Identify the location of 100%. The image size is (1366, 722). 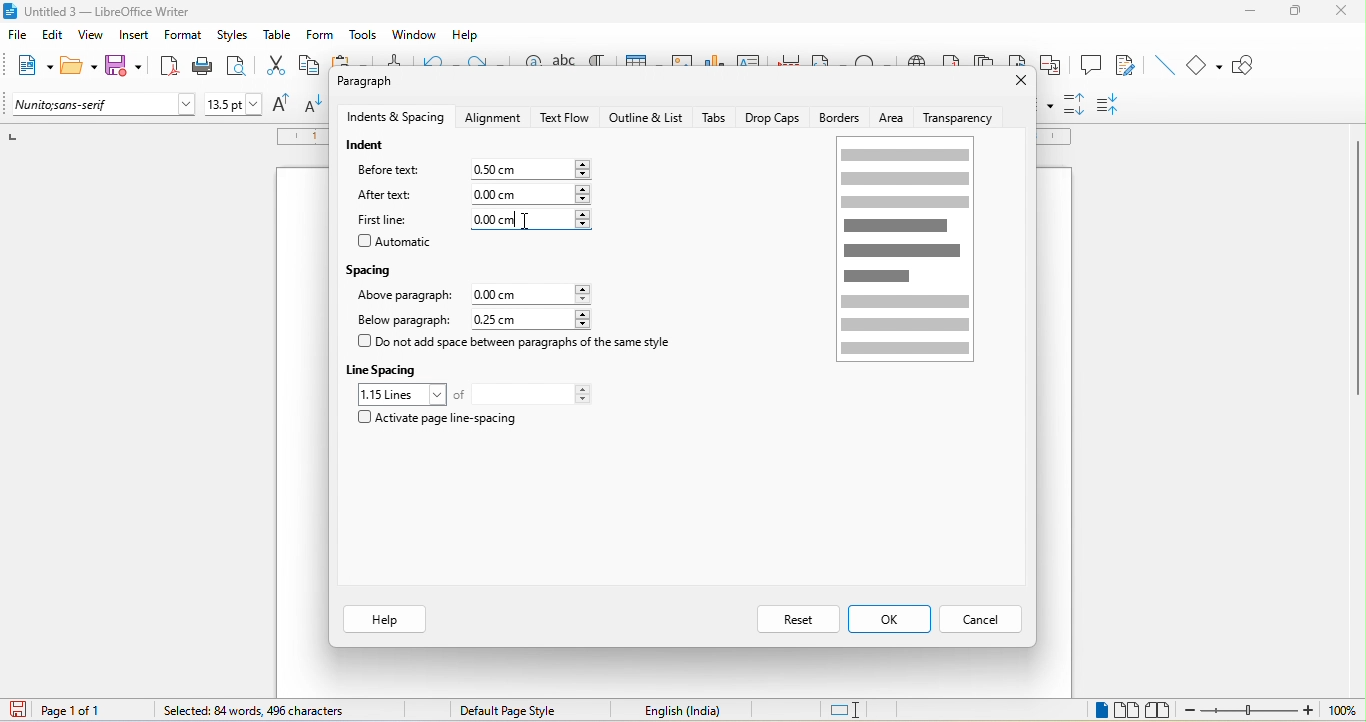
(1342, 711).